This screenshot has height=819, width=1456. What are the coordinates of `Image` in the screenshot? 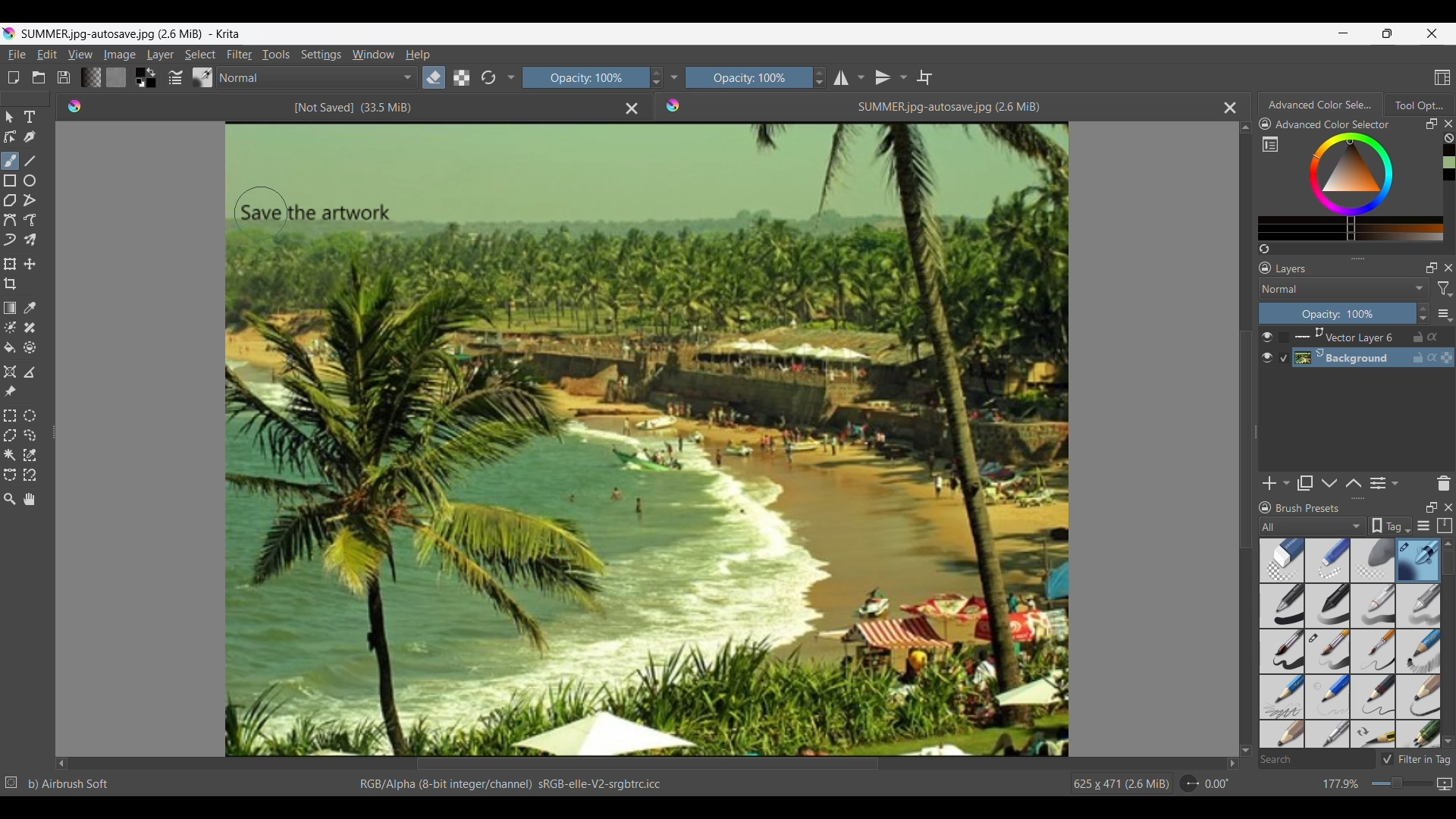 It's located at (119, 55).